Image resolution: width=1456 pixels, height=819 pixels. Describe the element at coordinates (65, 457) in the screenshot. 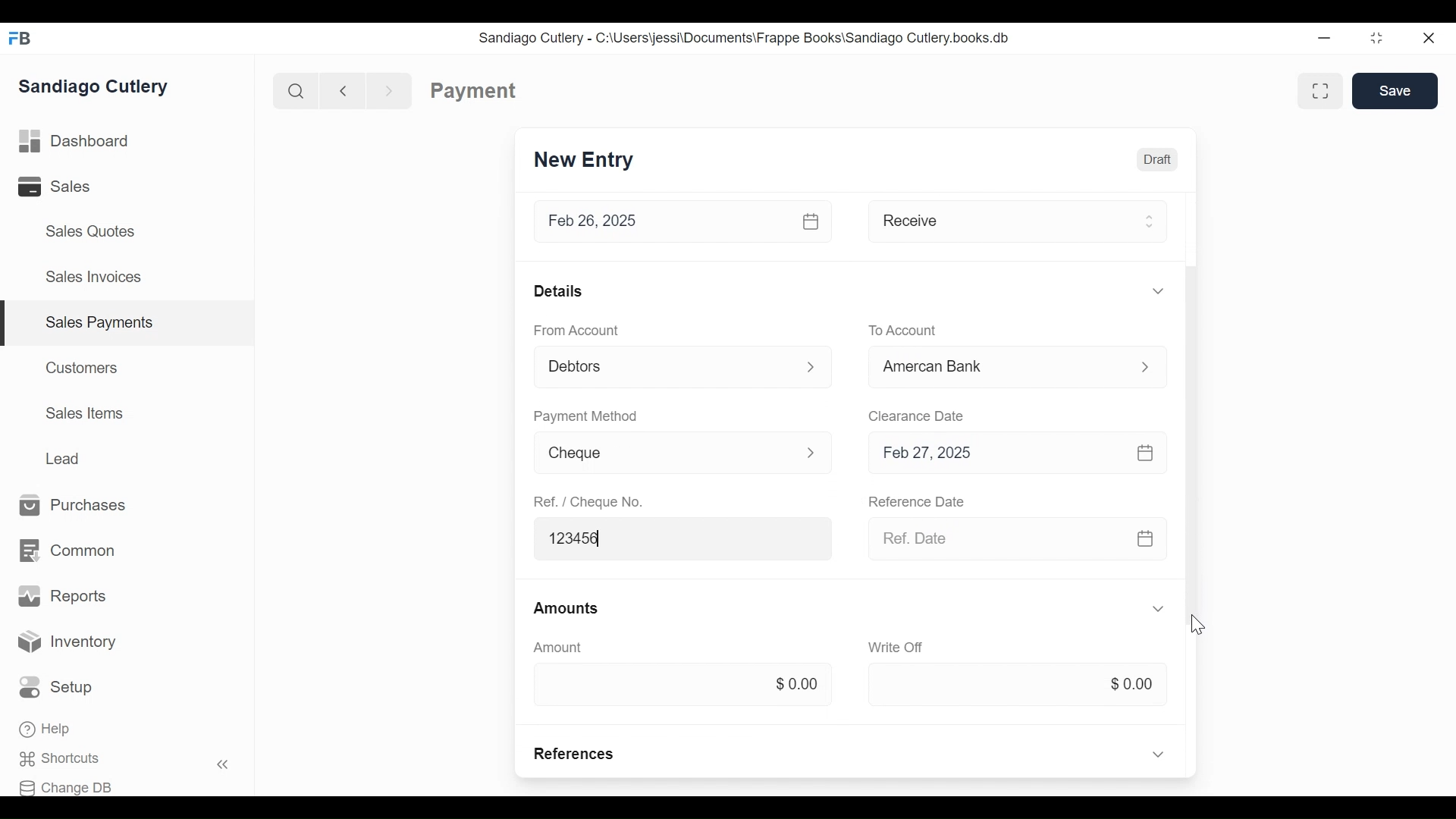

I see `Lead` at that location.